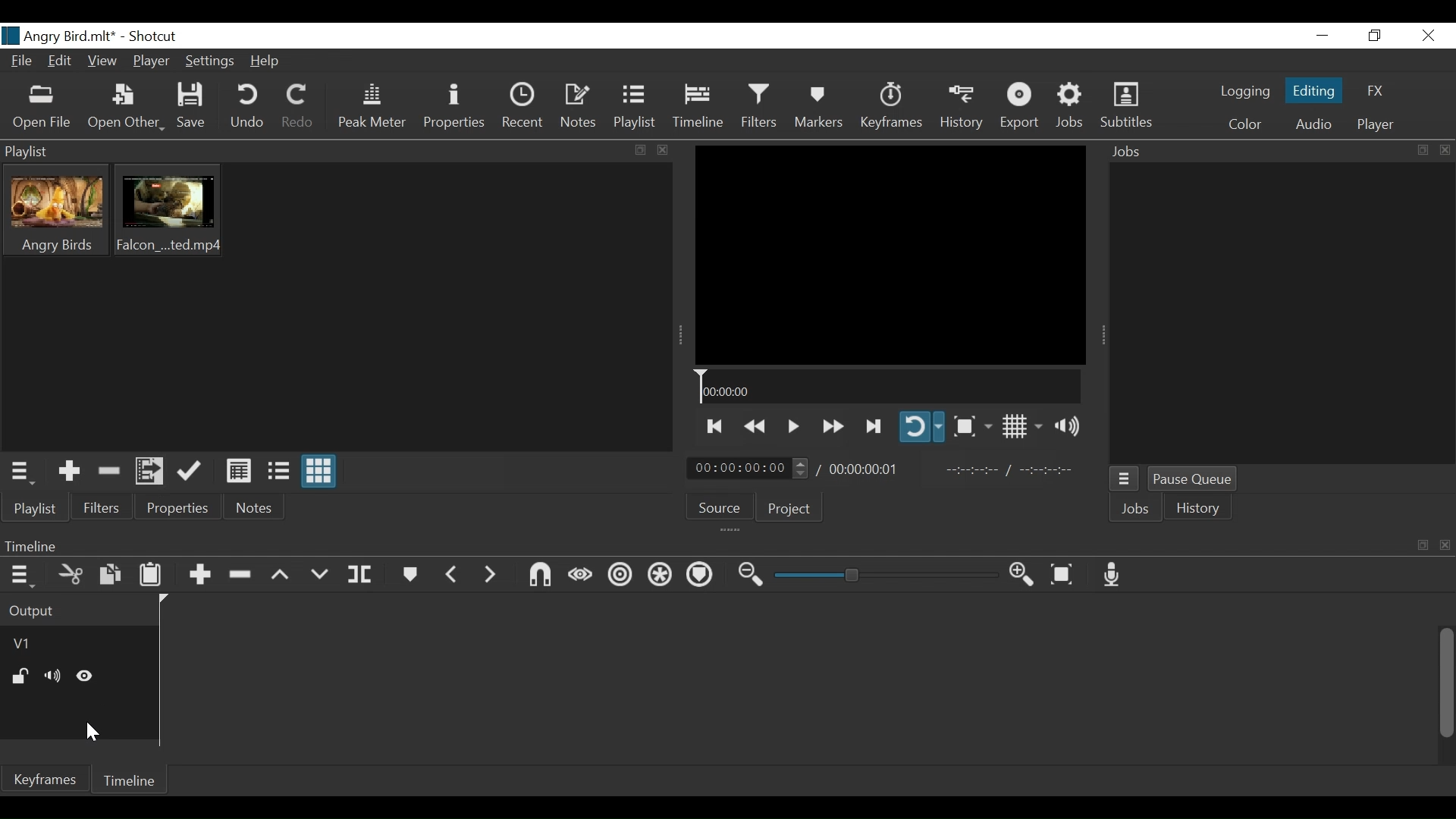 The width and height of the screenshot is (1456, 819). What do you see at coordinates (580, 107) in the screenshot?
I see `` at bounding box center [580, 107].